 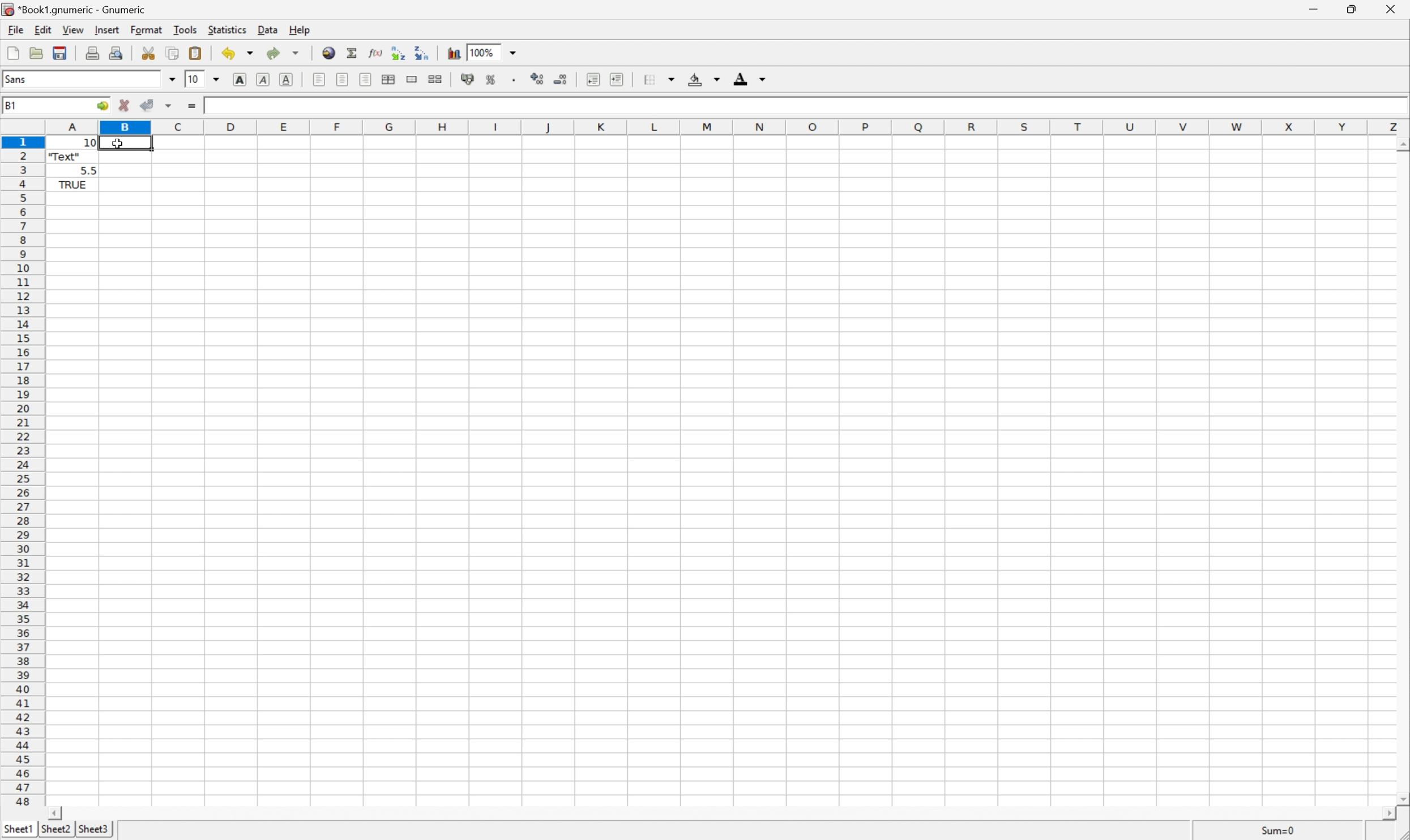 What do you see at coordinates (1383, 811) in the screenshot?
I see `Scroll Right` at bounding box center [1383, 811].